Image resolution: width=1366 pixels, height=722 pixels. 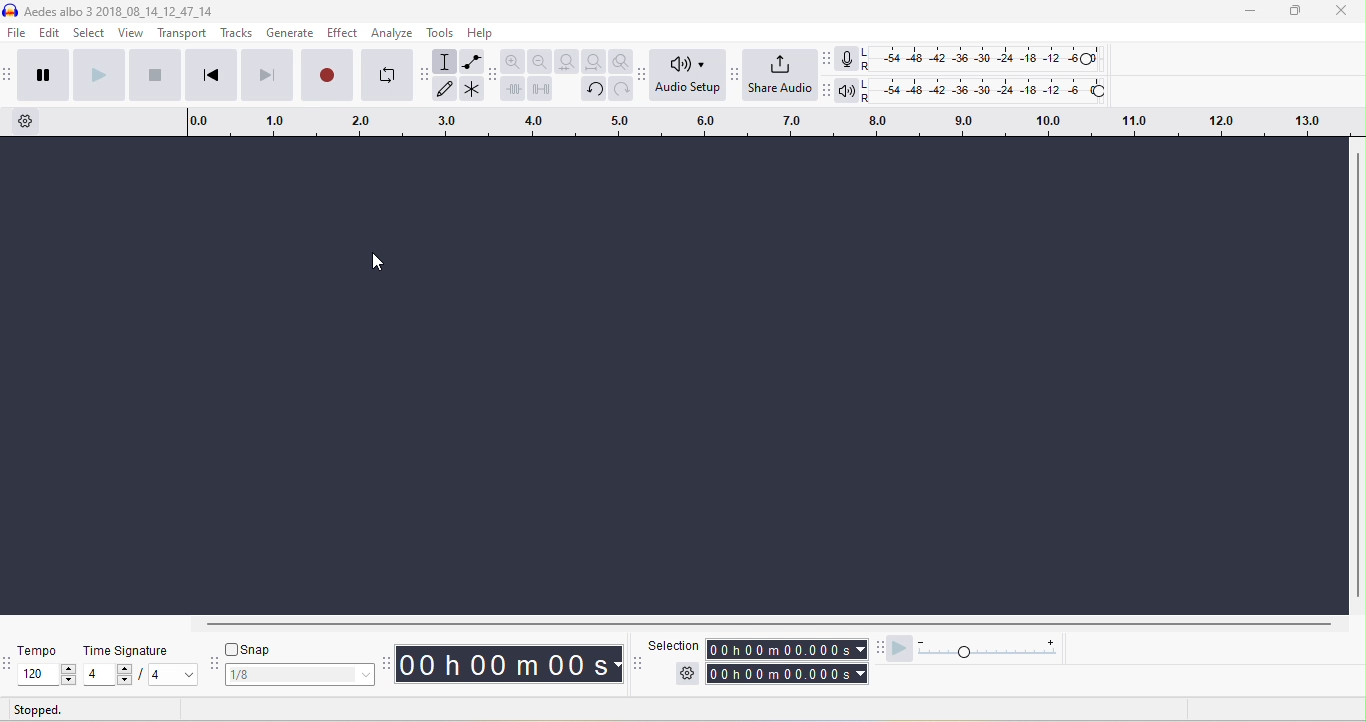 What do you see at coordinates (511, 665) in the screenshot?
I see `audacity time` at bounding box center [511, 665].